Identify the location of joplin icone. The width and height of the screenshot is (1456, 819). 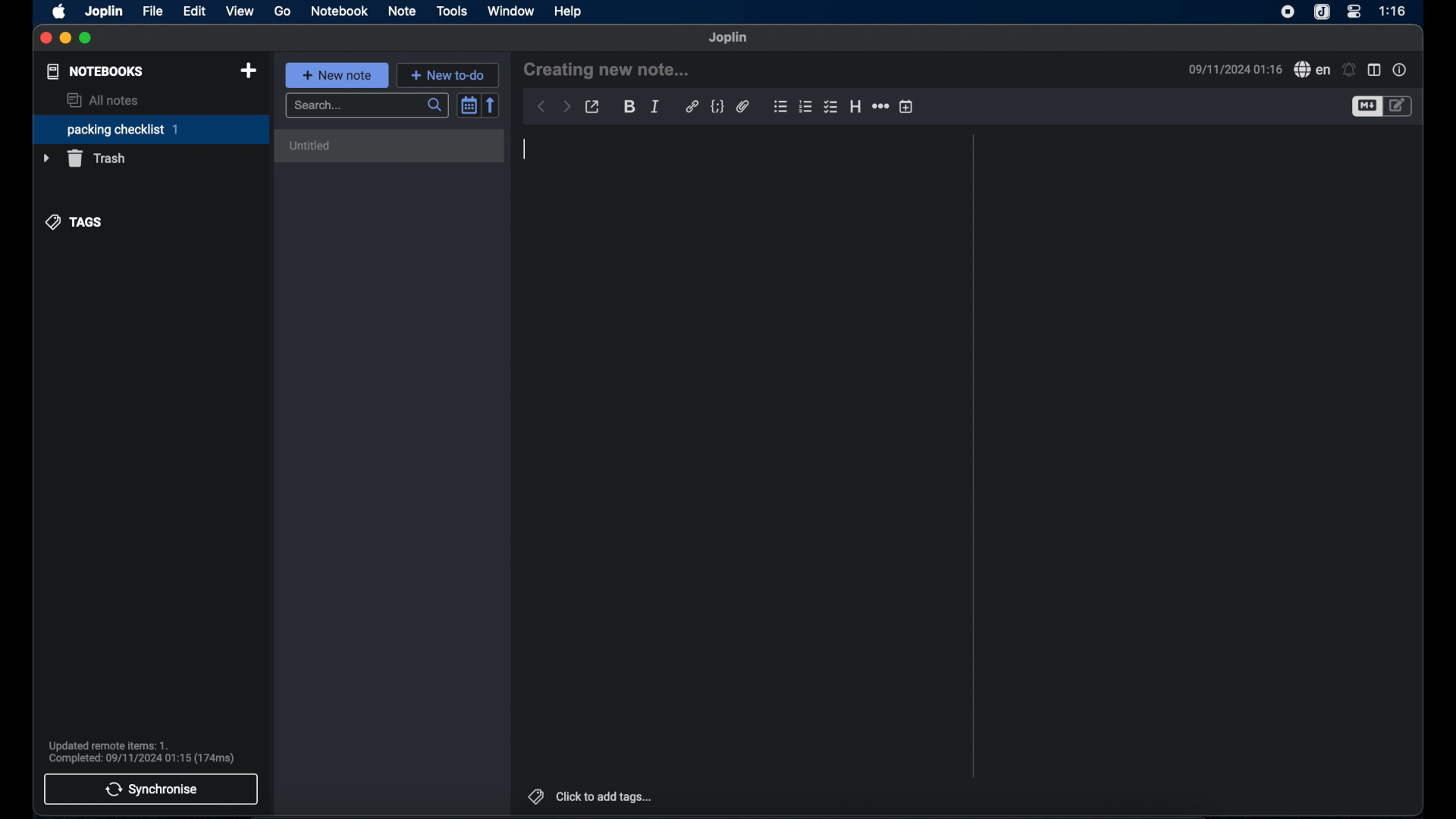
(1322, 12).